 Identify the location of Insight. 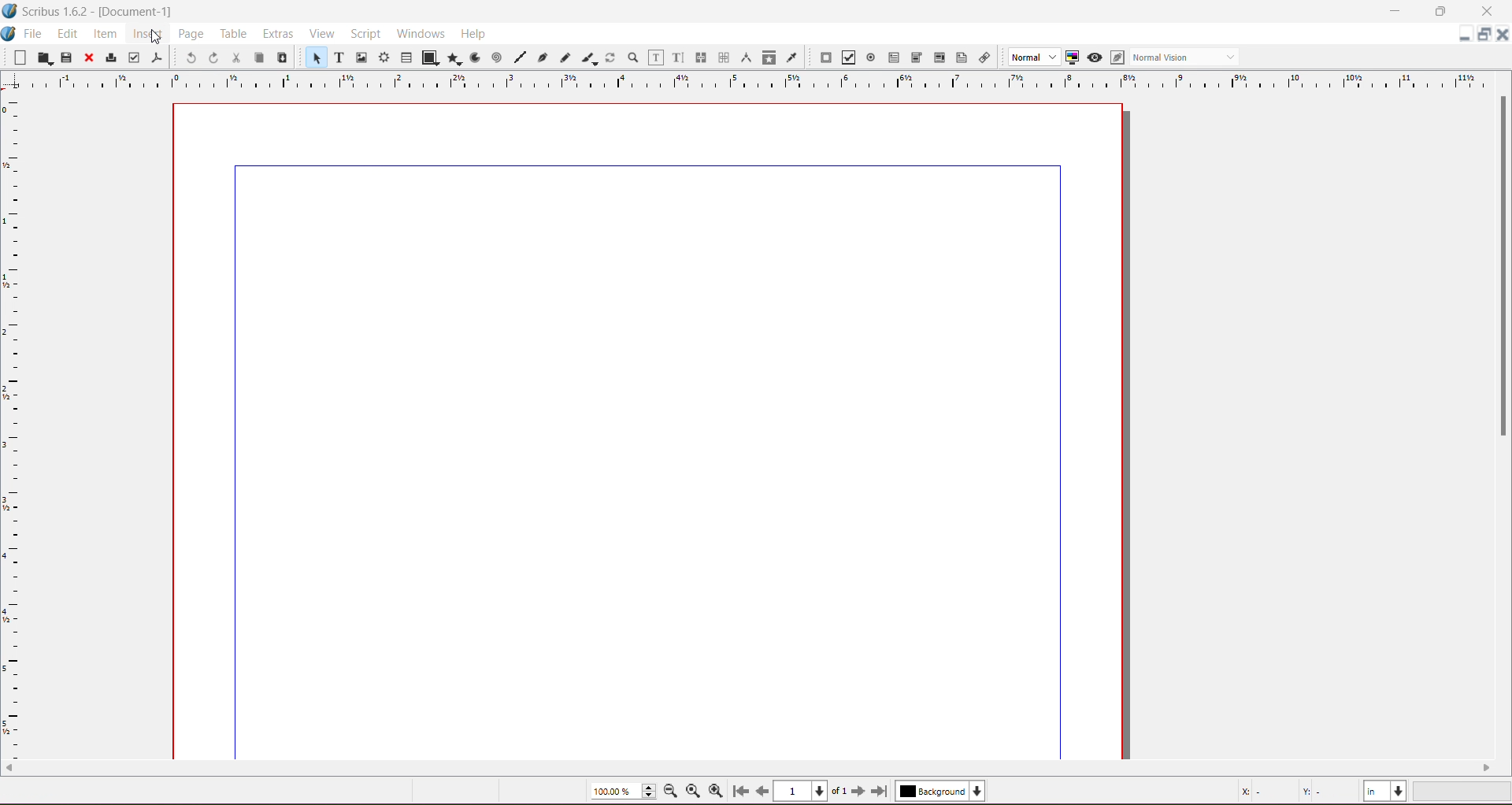
(146, 35).